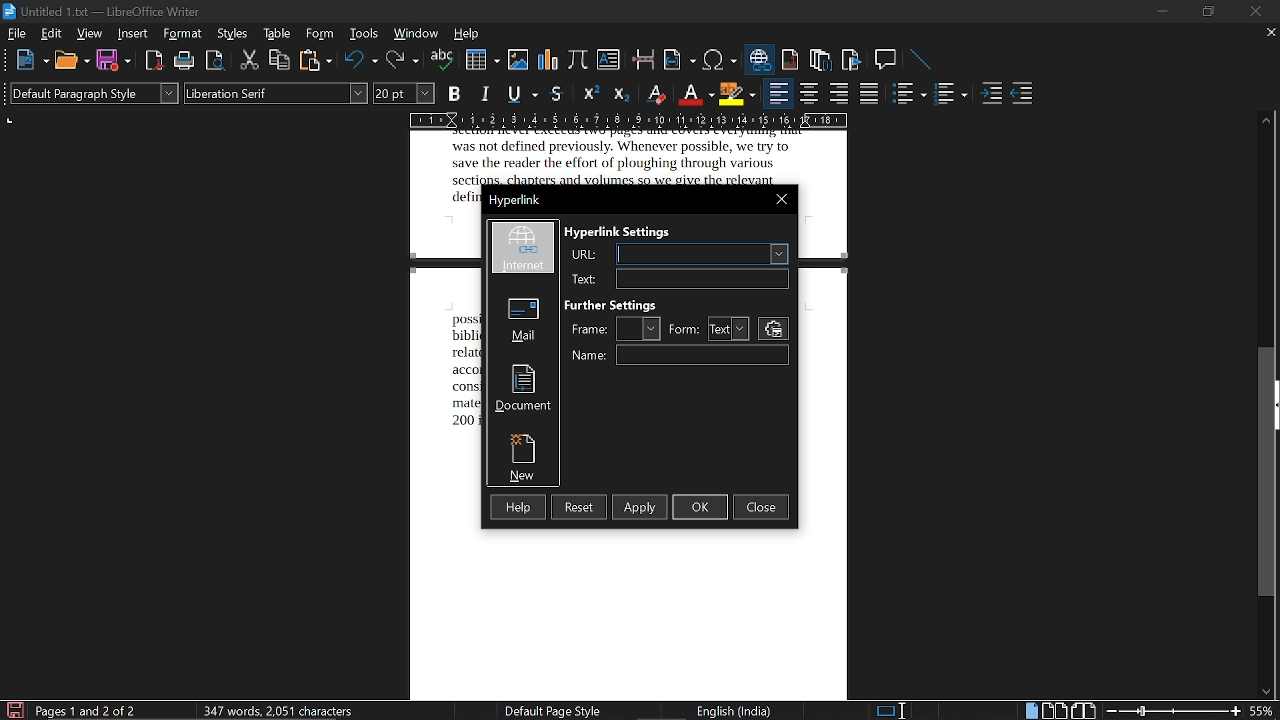 This screenshot has height=720, width=1280. What do you see at coordinates (522, 457) in the screenshot?
I see `new` at bounding box center [522, 457].